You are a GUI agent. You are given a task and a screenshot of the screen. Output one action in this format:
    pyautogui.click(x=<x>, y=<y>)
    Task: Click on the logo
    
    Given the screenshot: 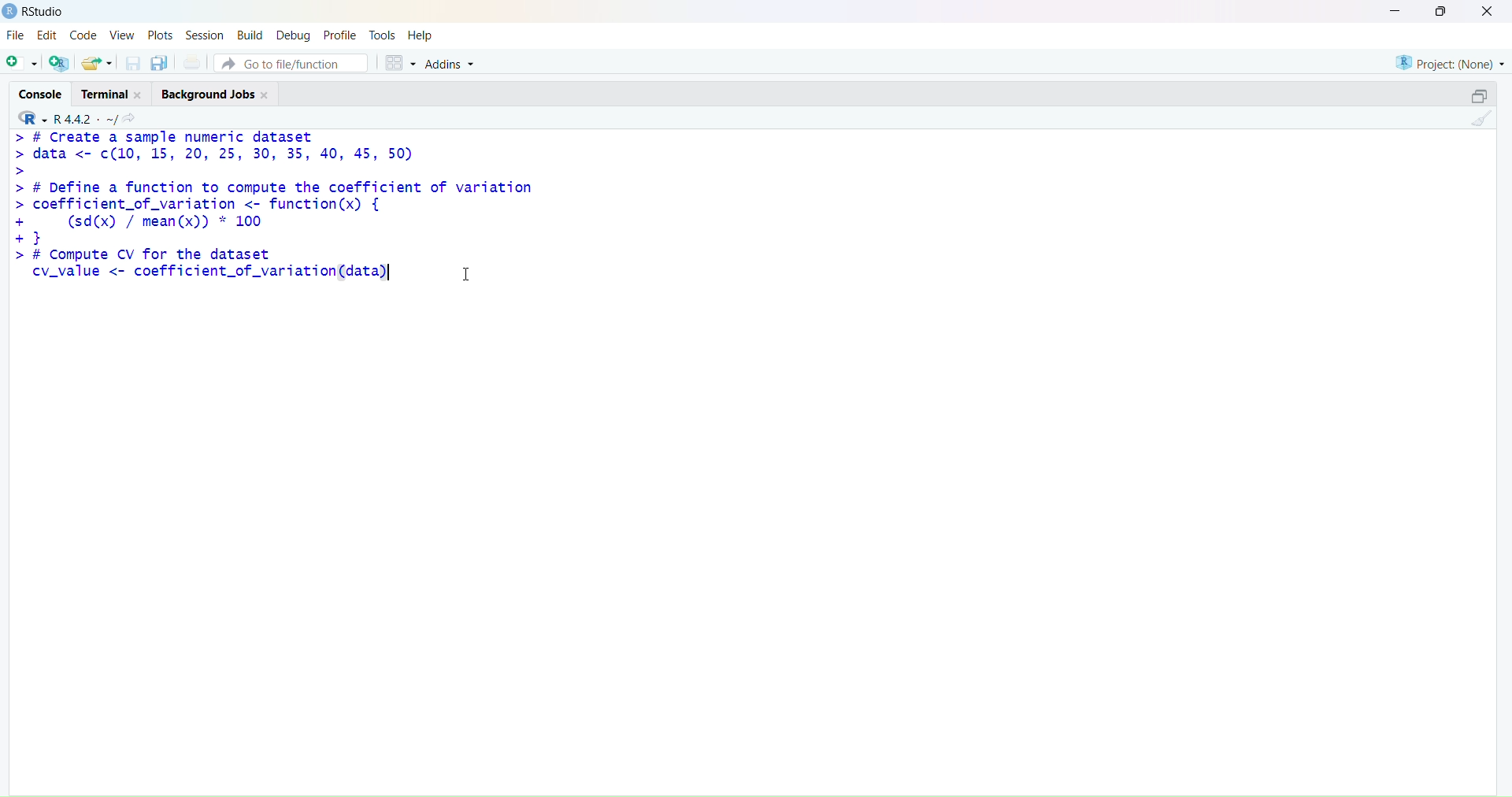 What is the action you would take?
    pyautogui.click(x=11, y=11)
    